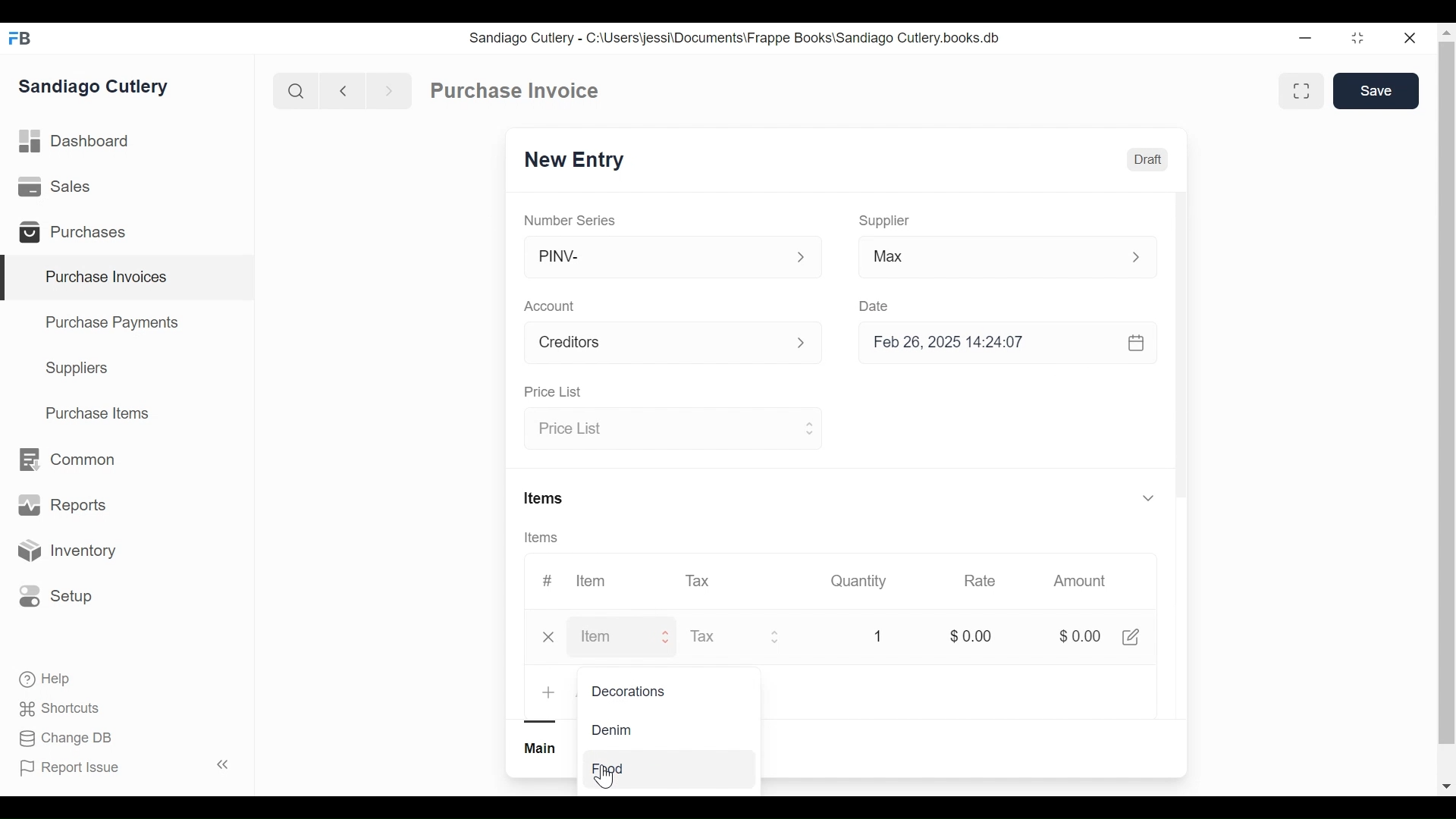  What do you see at coordinates (1373, 91) in the screenshot?
I see `Save` at bounding box center [1373, 91].